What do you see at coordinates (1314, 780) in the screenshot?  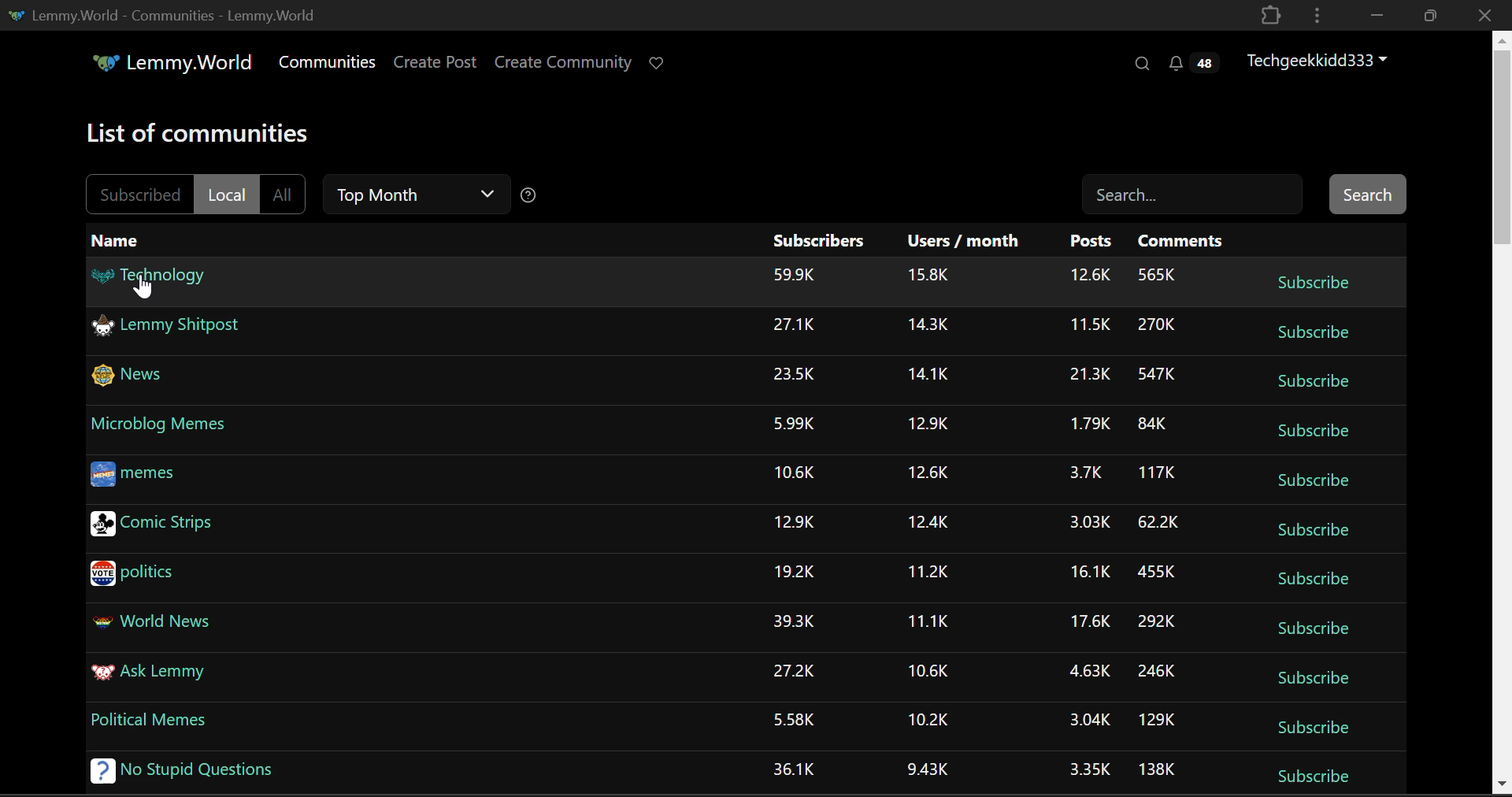 I see `Subscribe` at bounding box center [1314, 780].